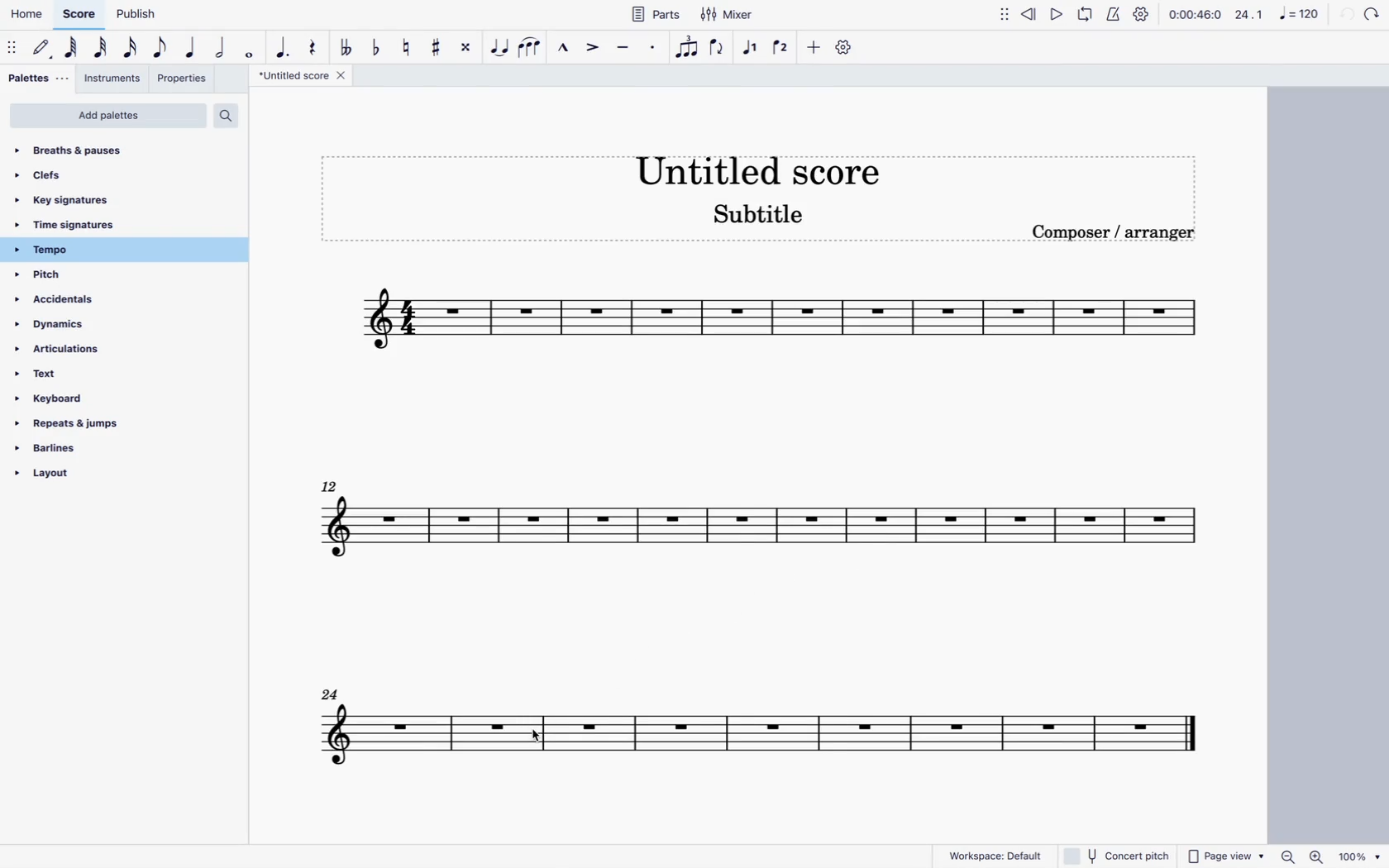 The height and width of the screenshot is (868, 1389). What do you see at coordinates (375, 48) in the screenshot?
I see `toggle flat` at bounding box center [375, 48].